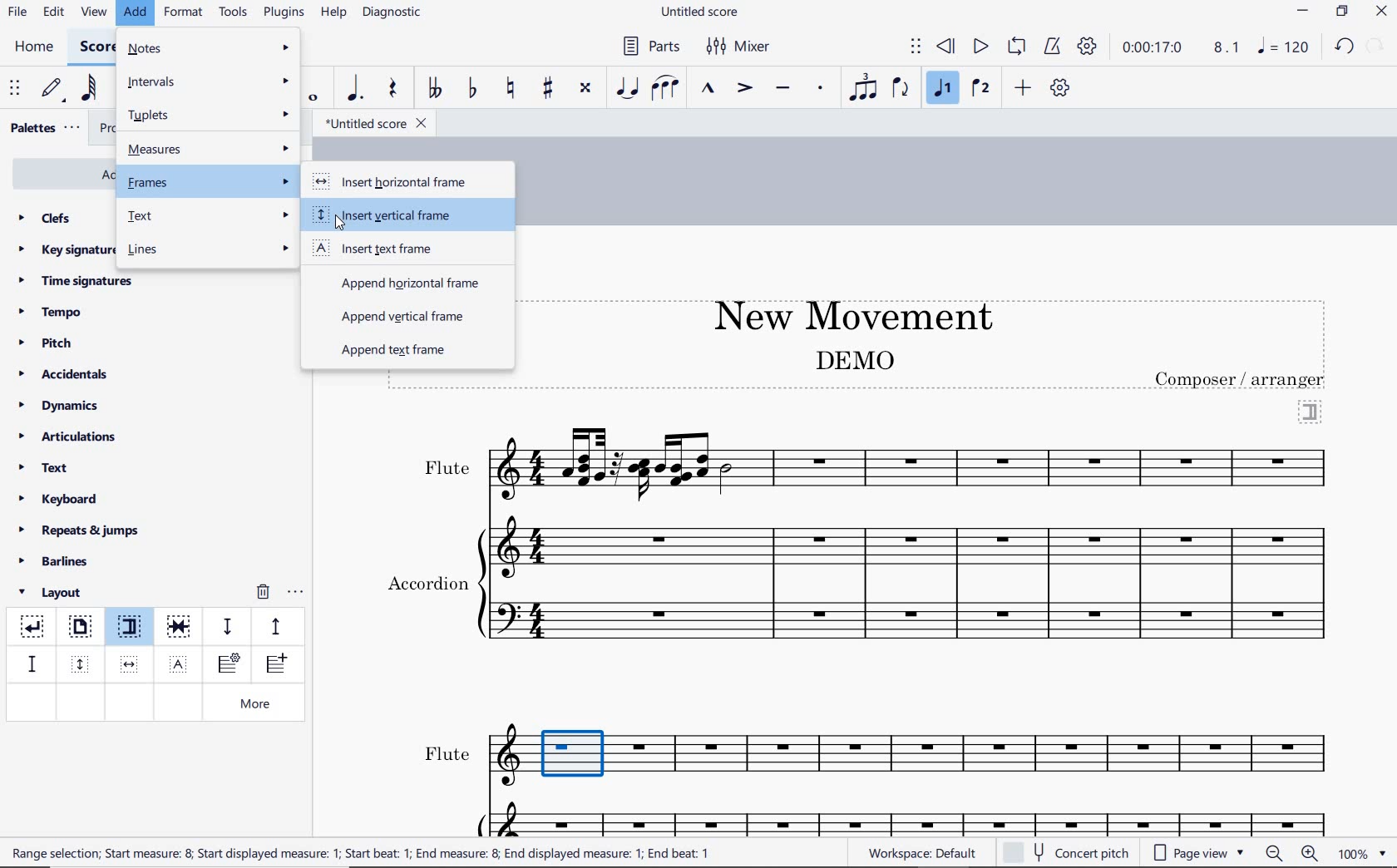 The image size is (1397, 868). I want to click on Acc., so click(915, 817).